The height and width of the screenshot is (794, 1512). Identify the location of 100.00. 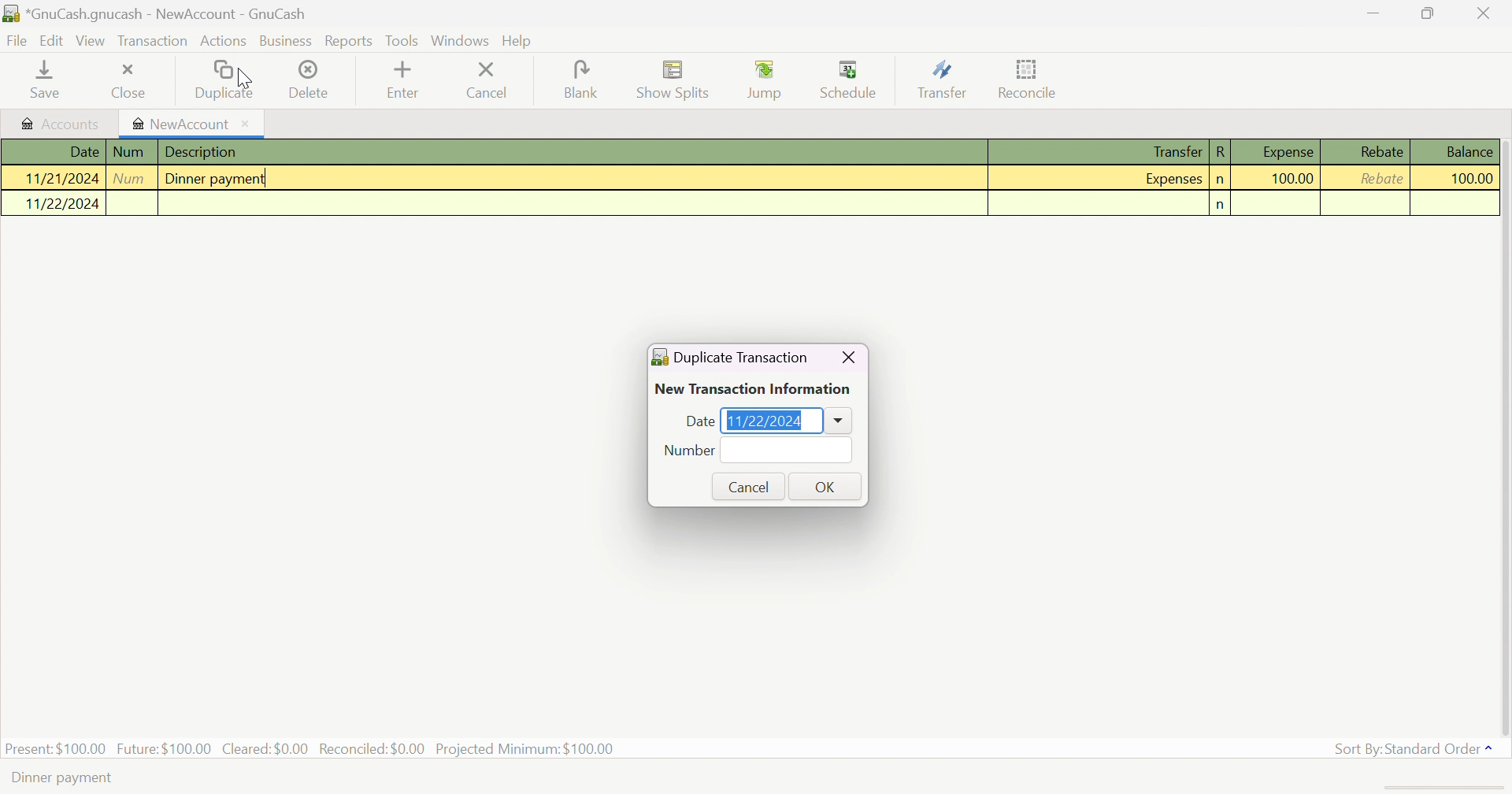
(1292, 178).